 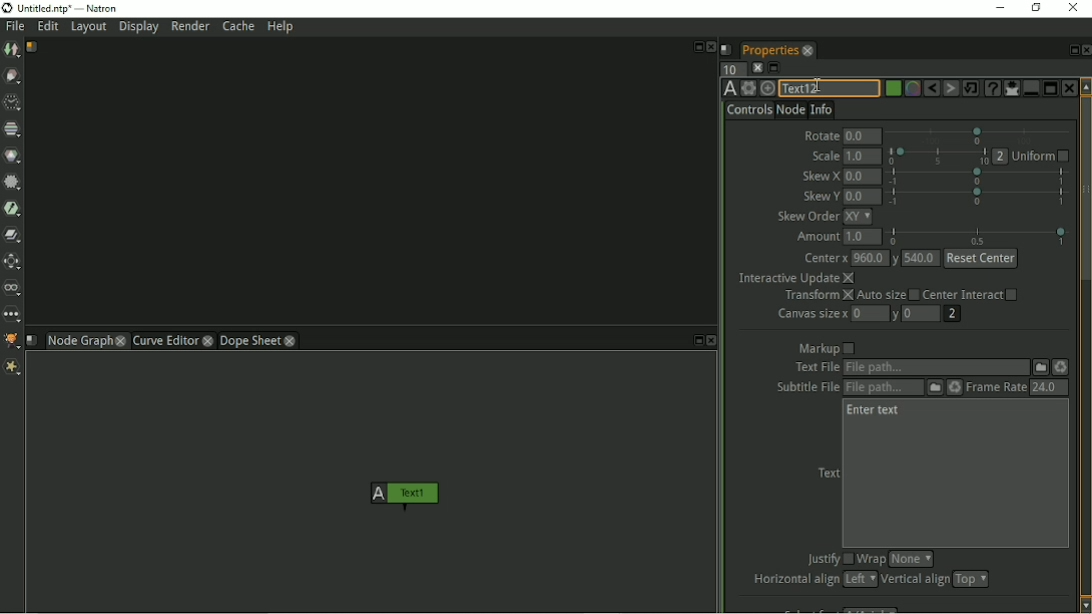 I want to click on Uniform, so click(x=1041, y=157).